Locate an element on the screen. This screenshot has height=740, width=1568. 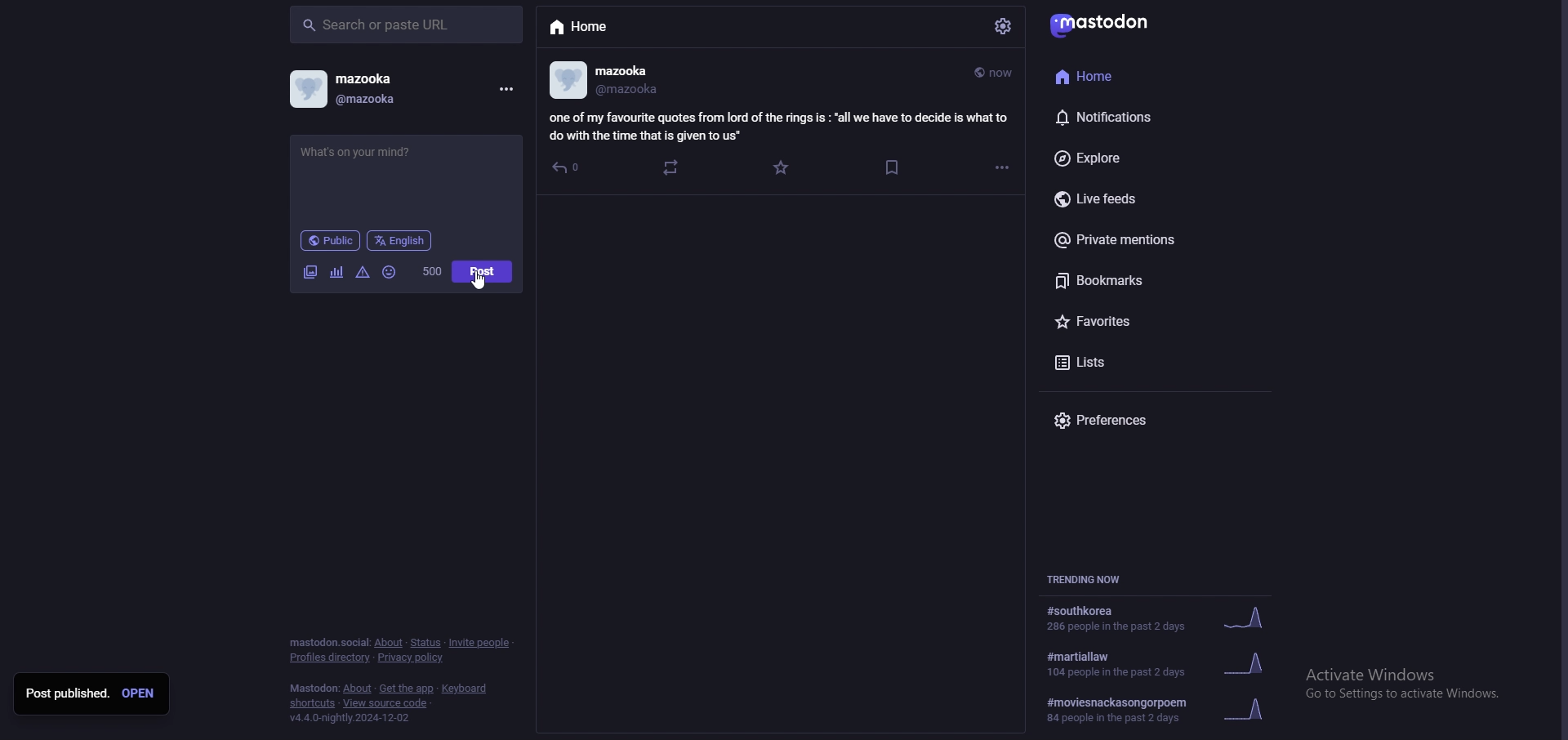
reply is located at coordinates (568, 168).